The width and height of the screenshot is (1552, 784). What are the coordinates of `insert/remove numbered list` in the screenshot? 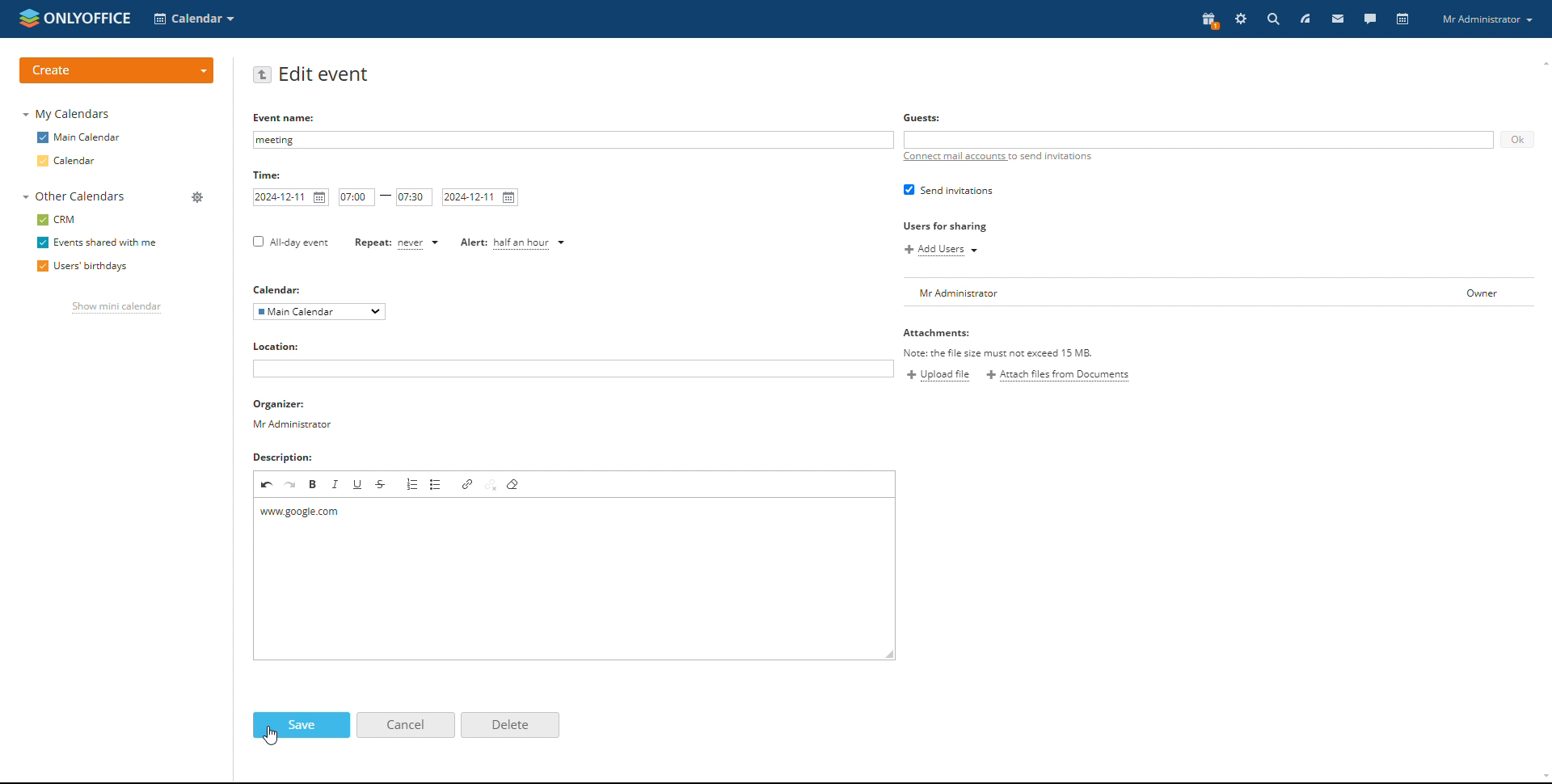 It's located at (412, 484).